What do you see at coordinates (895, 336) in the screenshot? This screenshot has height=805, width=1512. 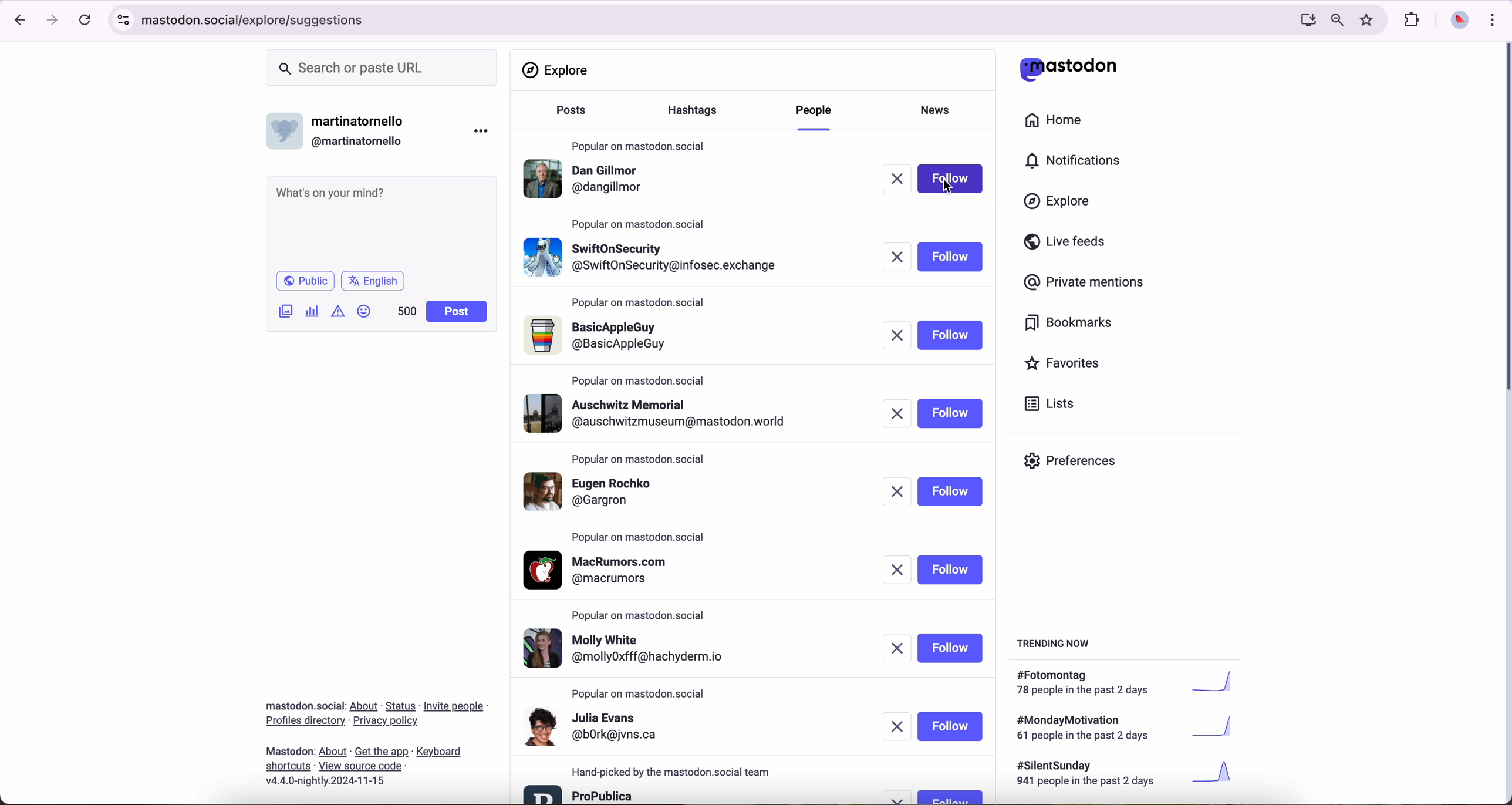 I see `remove` at bounding box center [895, 336].